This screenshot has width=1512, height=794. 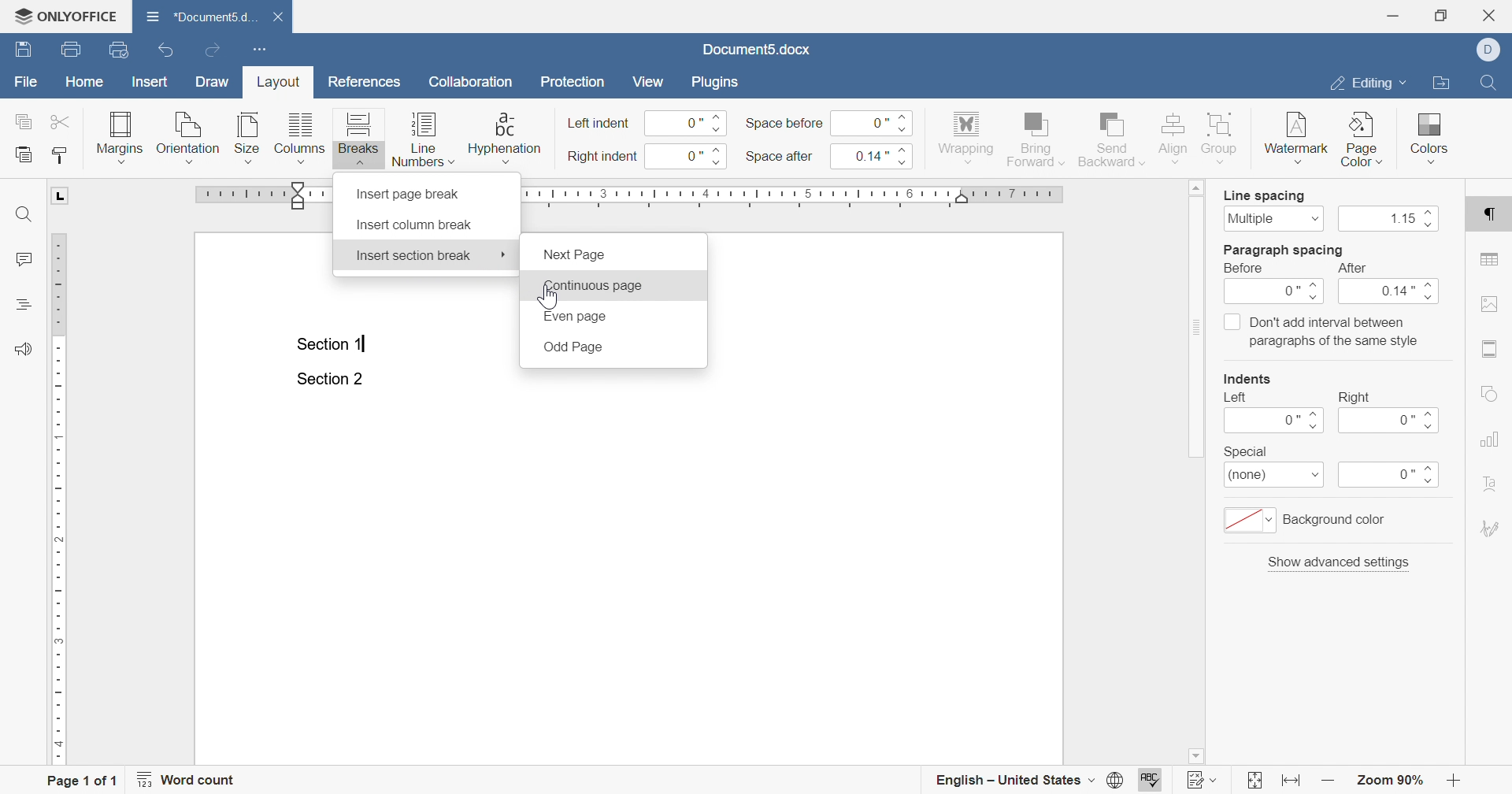 What do you see at coordinates (1309, 520) in the screenshot?
I see `background color` at bounding box center [1309, 520].